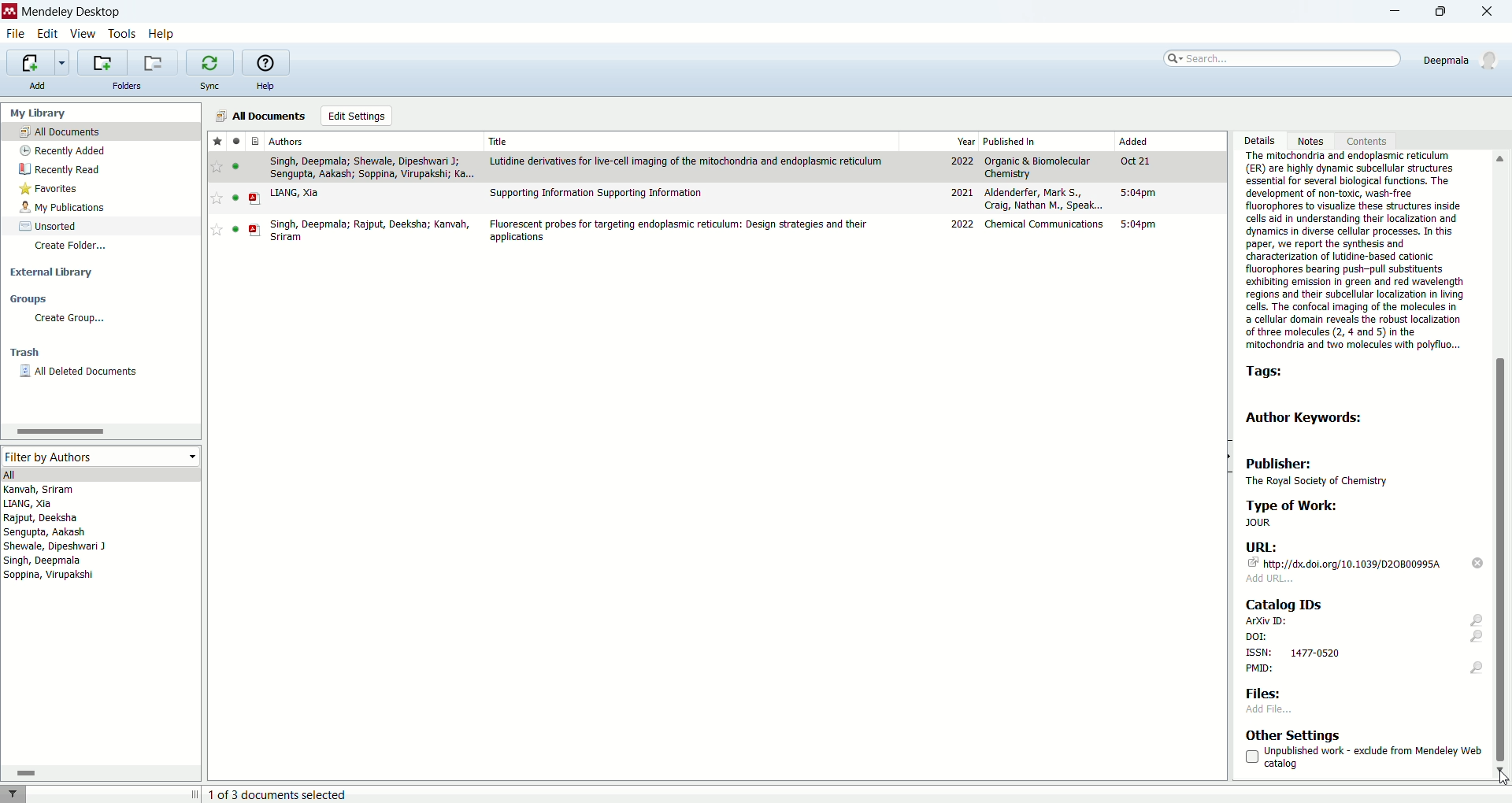 This screenshot has width=1512, height=803. What do you see at coordinates (295, 193) in the screenshot?
I see `LIANG, Xia` at bounding box center [295, 193].